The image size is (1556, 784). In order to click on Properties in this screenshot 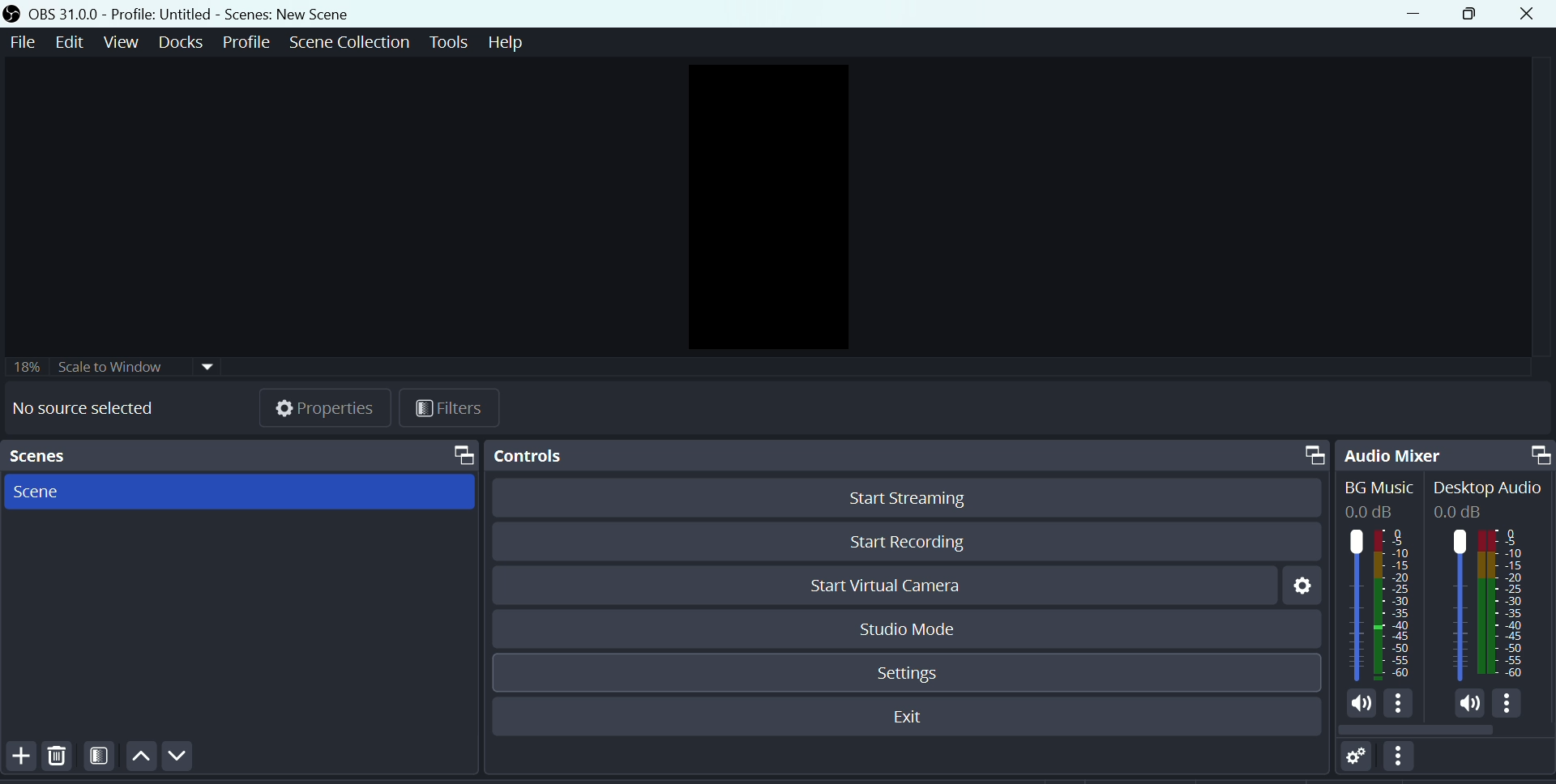, I will do `click(325, 411)`.